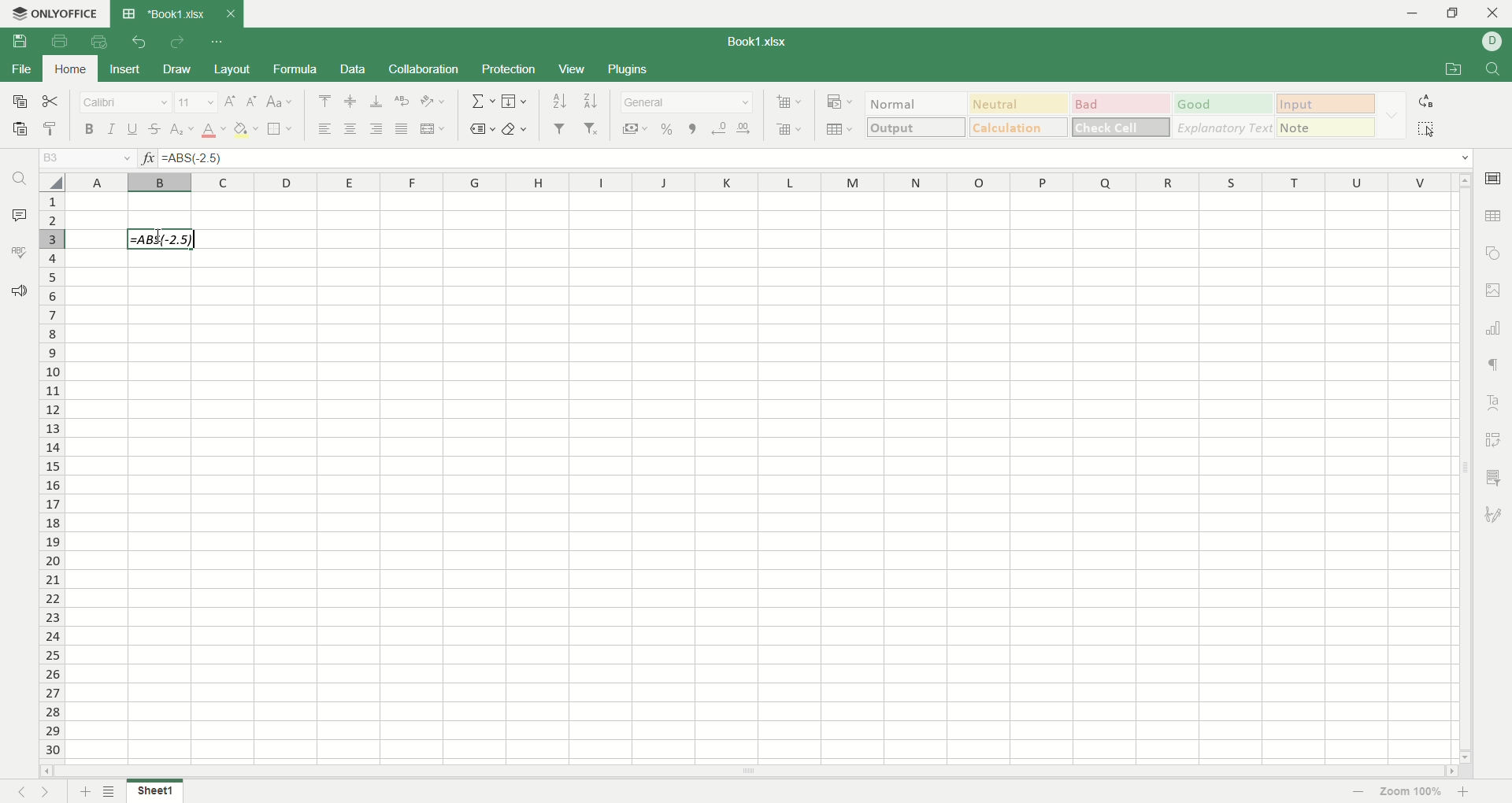 This screenshot has height=803, width=1512. I want to click on style options, so click(1392, 115).